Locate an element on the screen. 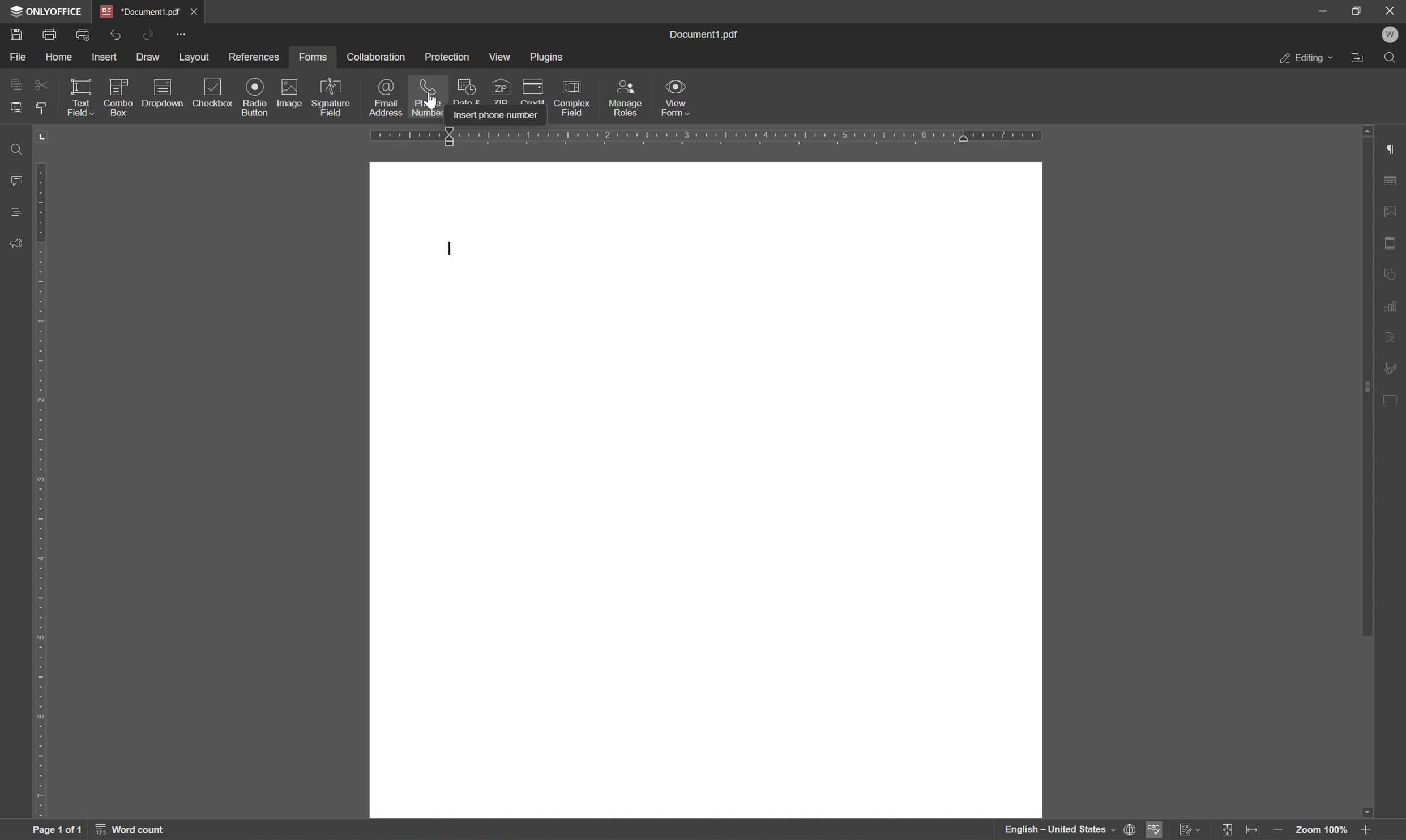 The image size is (1406, 840). customize quick access toolbar is located at coordinates (180, 33).